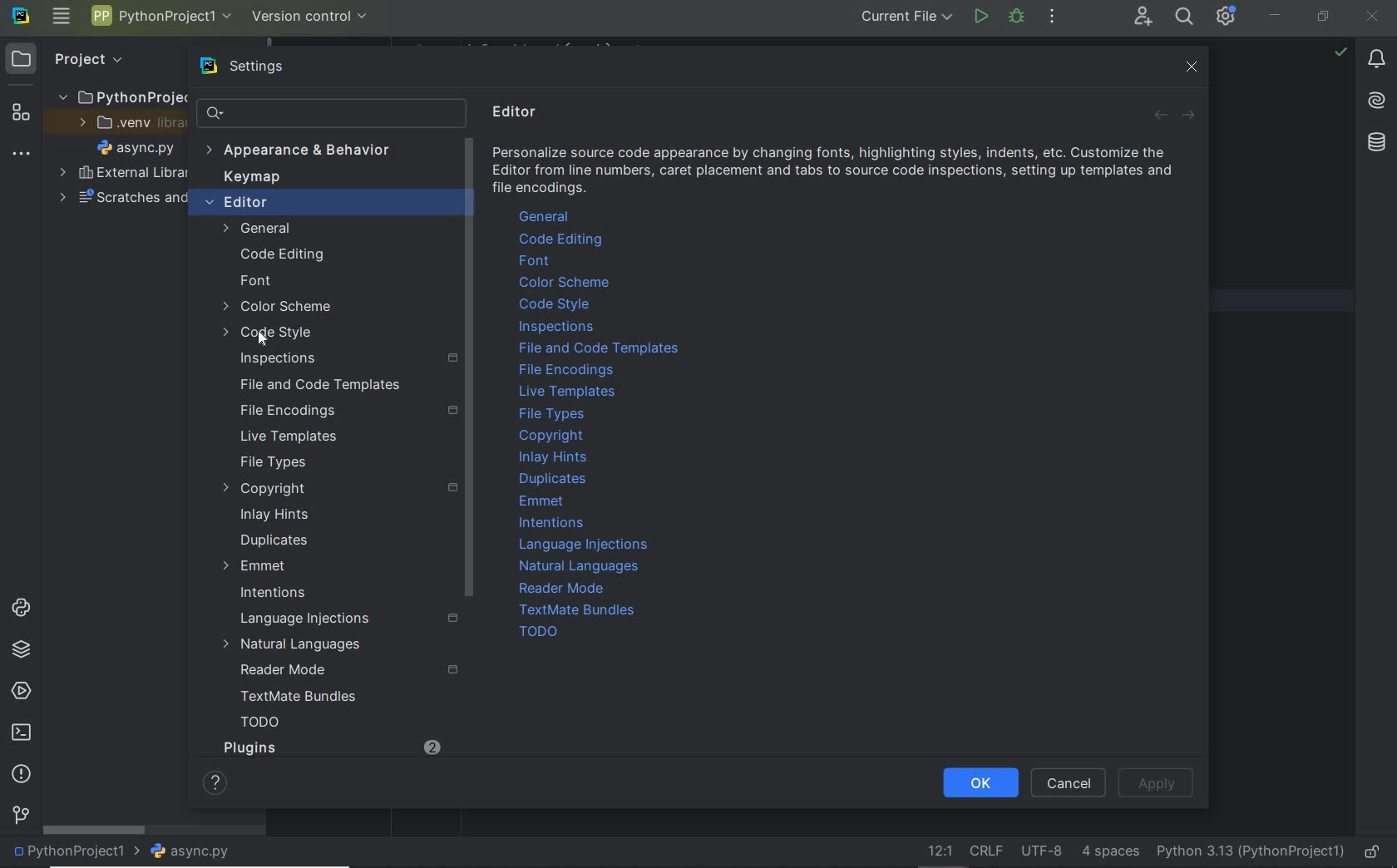 This screenshot has height=868, width=1397. Describe the element at coordinates (337, 489) in the screenshot. I see `copyright` at that location.